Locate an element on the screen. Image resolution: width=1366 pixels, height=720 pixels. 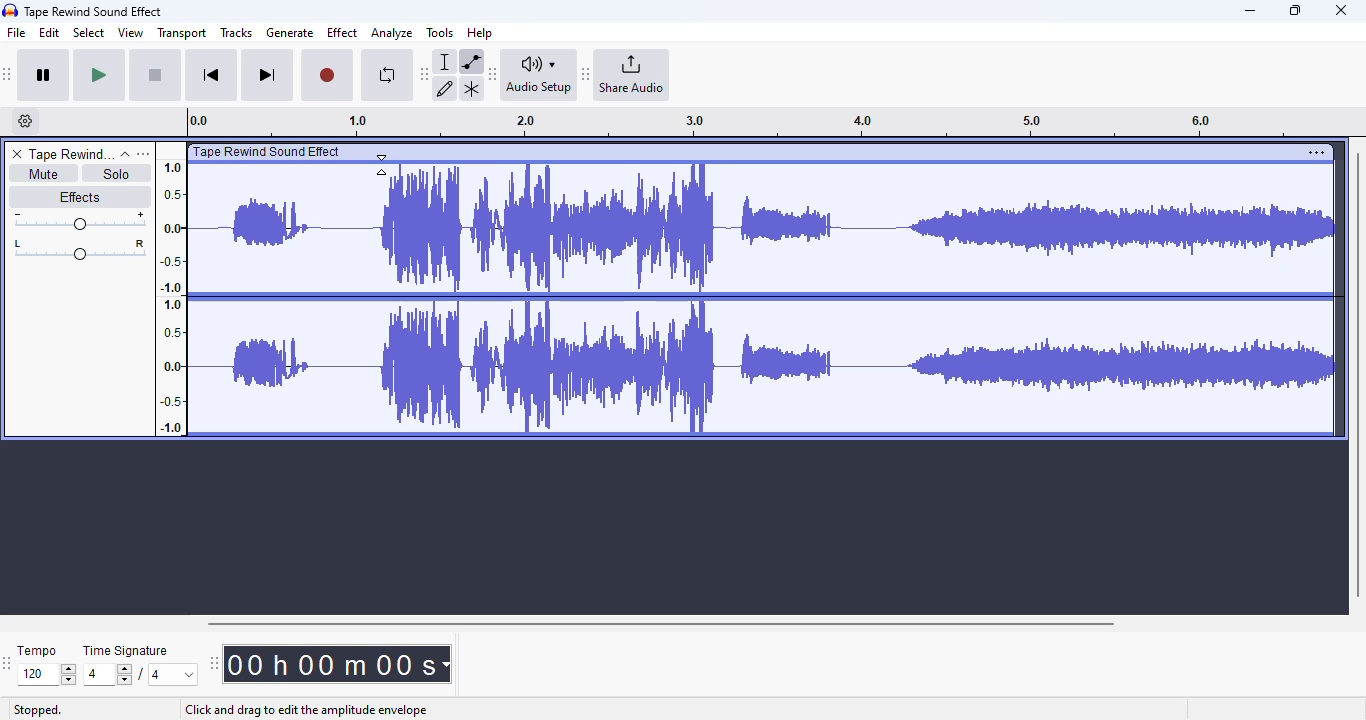
click and drag to edit the amplitude envelope is located at coordinates (306, 711).